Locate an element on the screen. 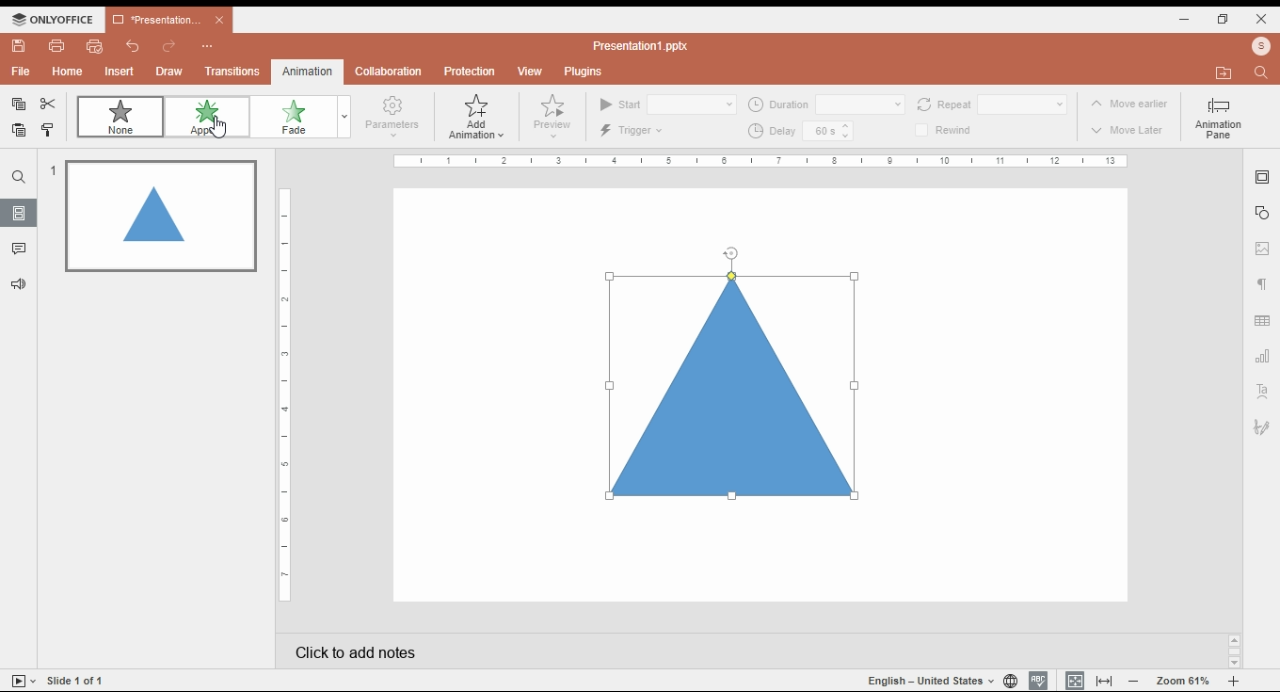 The image size is (1280, 692). repeat is located at coordinates (1020, 103).